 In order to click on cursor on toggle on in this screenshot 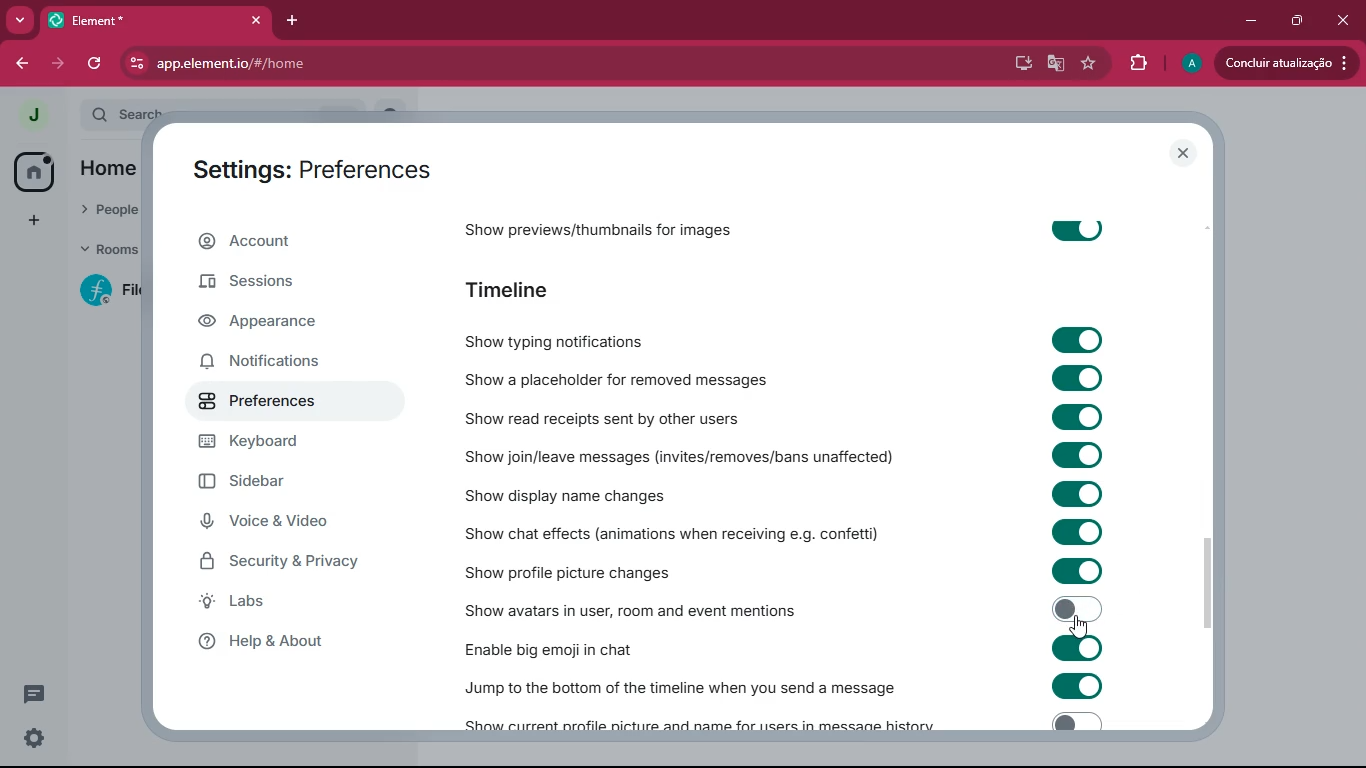, I will do `click(1079, 626)`.